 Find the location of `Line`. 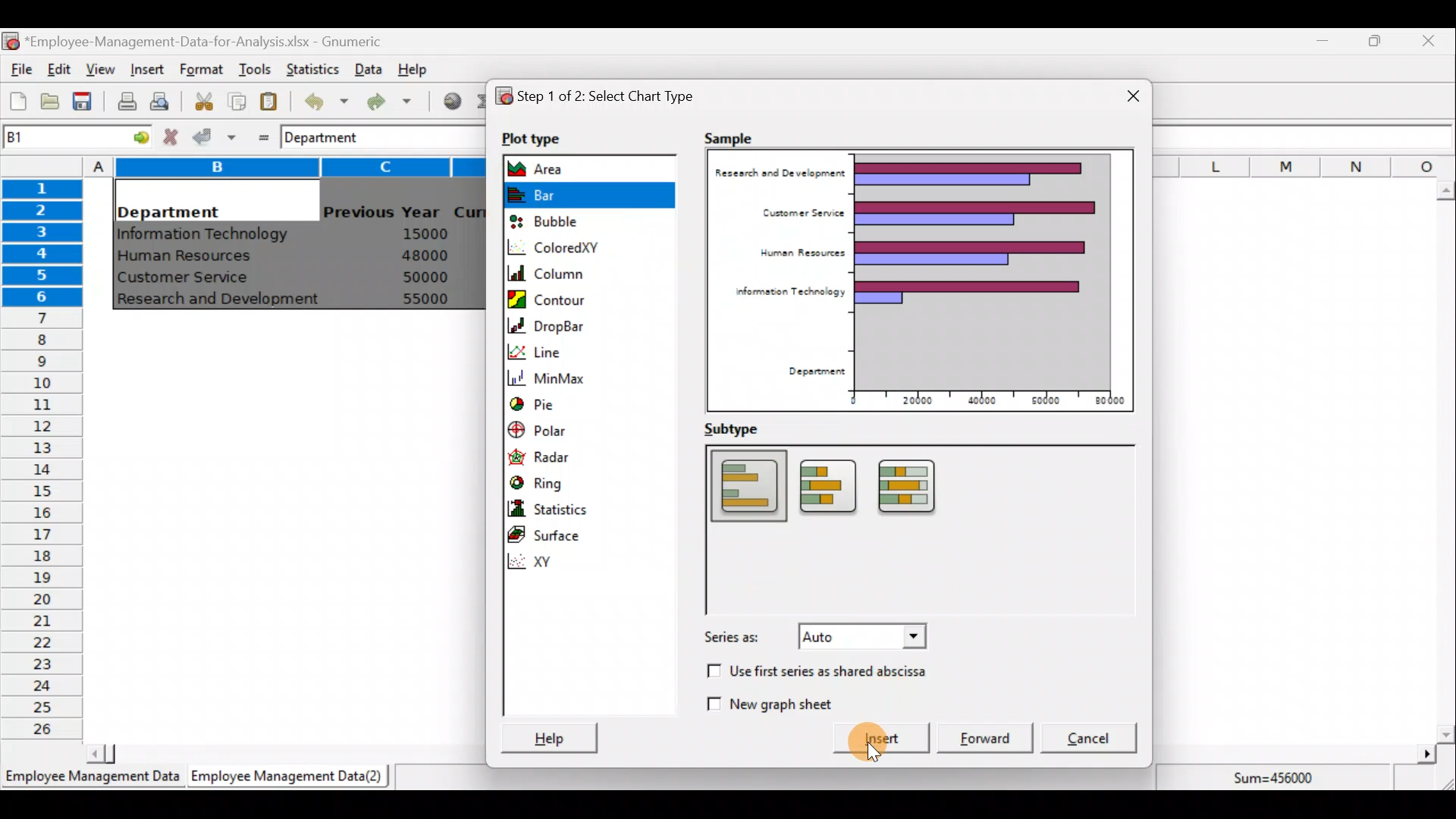

Line is located at coordinates (582, 350).